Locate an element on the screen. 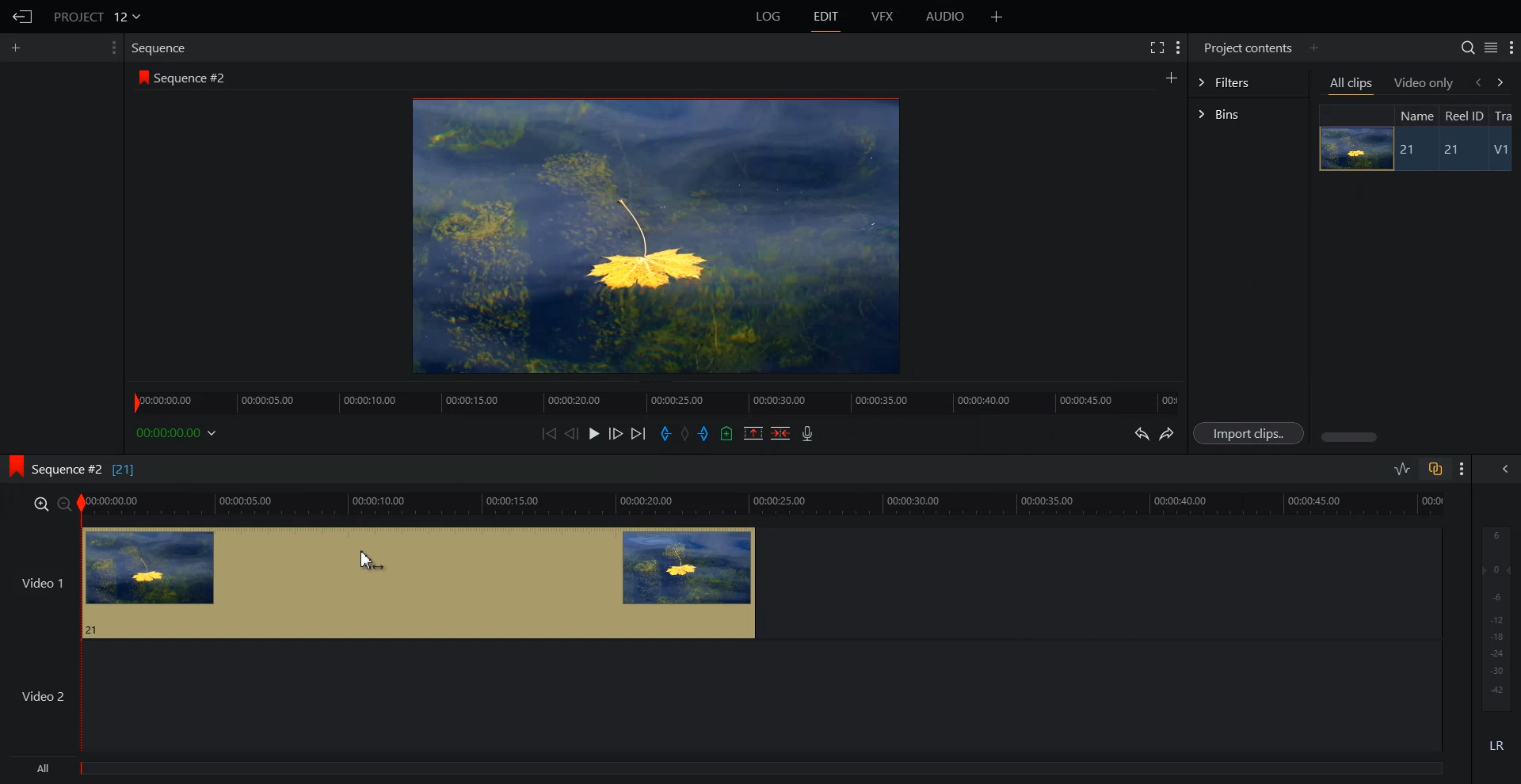 Image resolution: width=1521 pixels, height=784 pixels. LR is located at coordinates (1497, 743).